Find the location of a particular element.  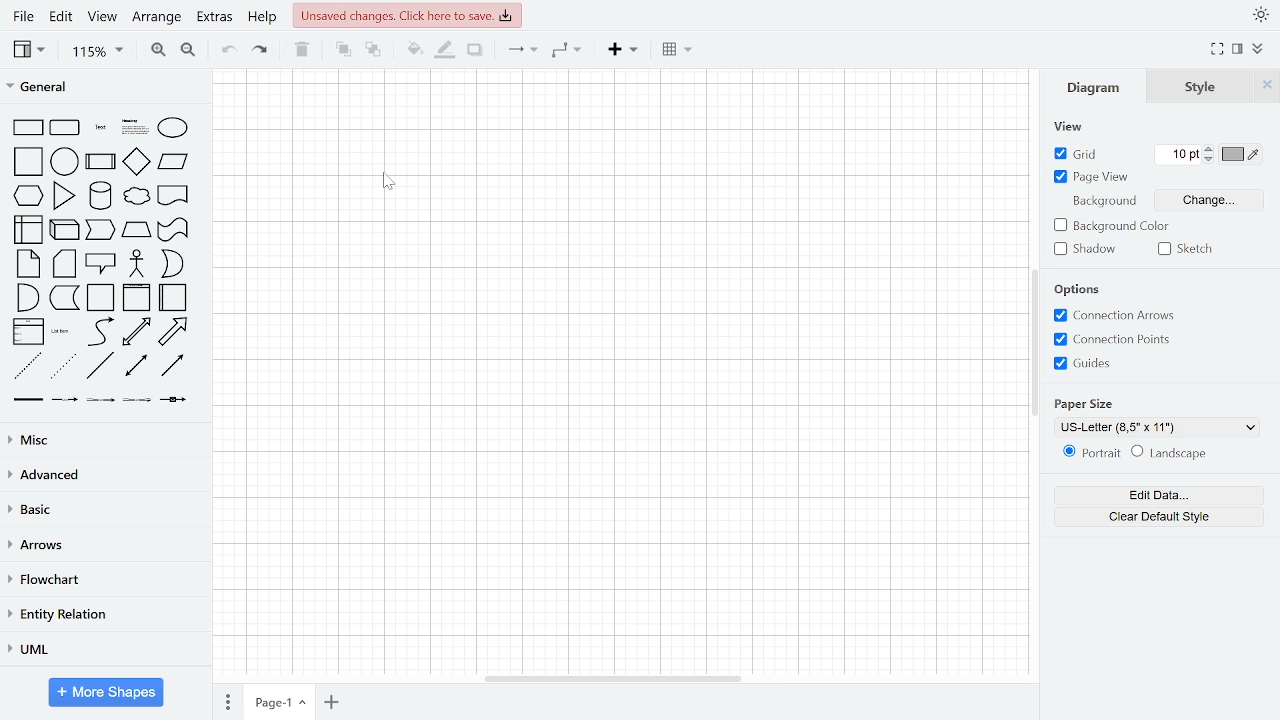

paralellogram is located at coordinates (175, 160).